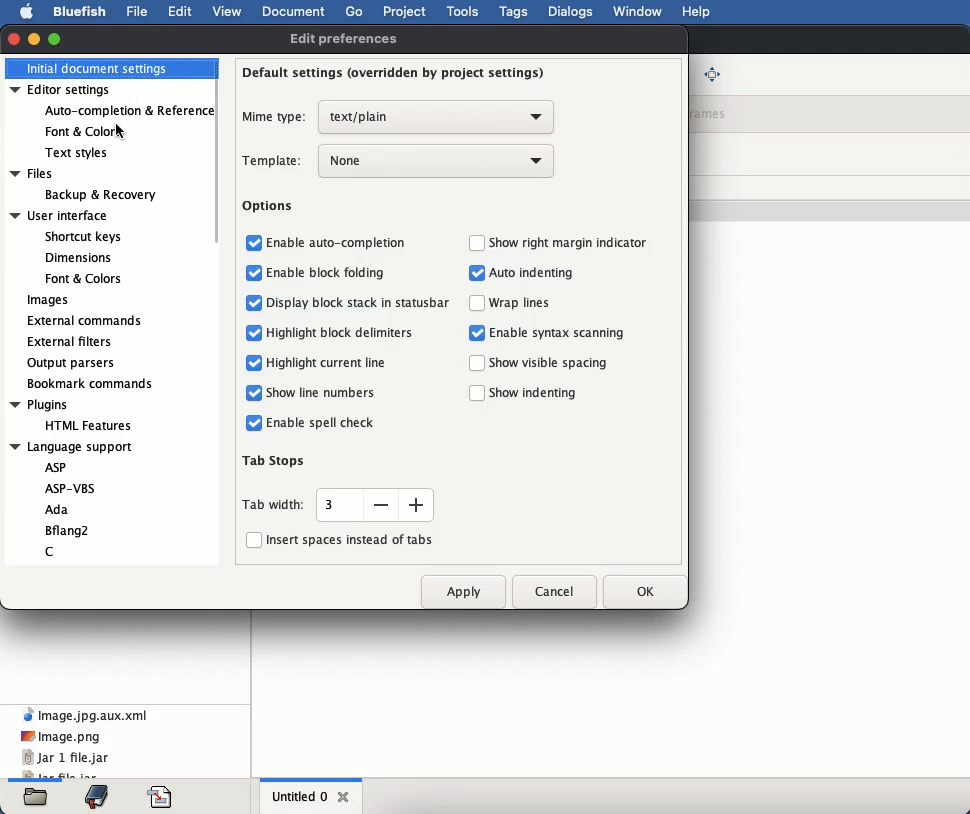 The width and height of the screenshot is (970, 814). I want to click on untitled, so click(299, 795).